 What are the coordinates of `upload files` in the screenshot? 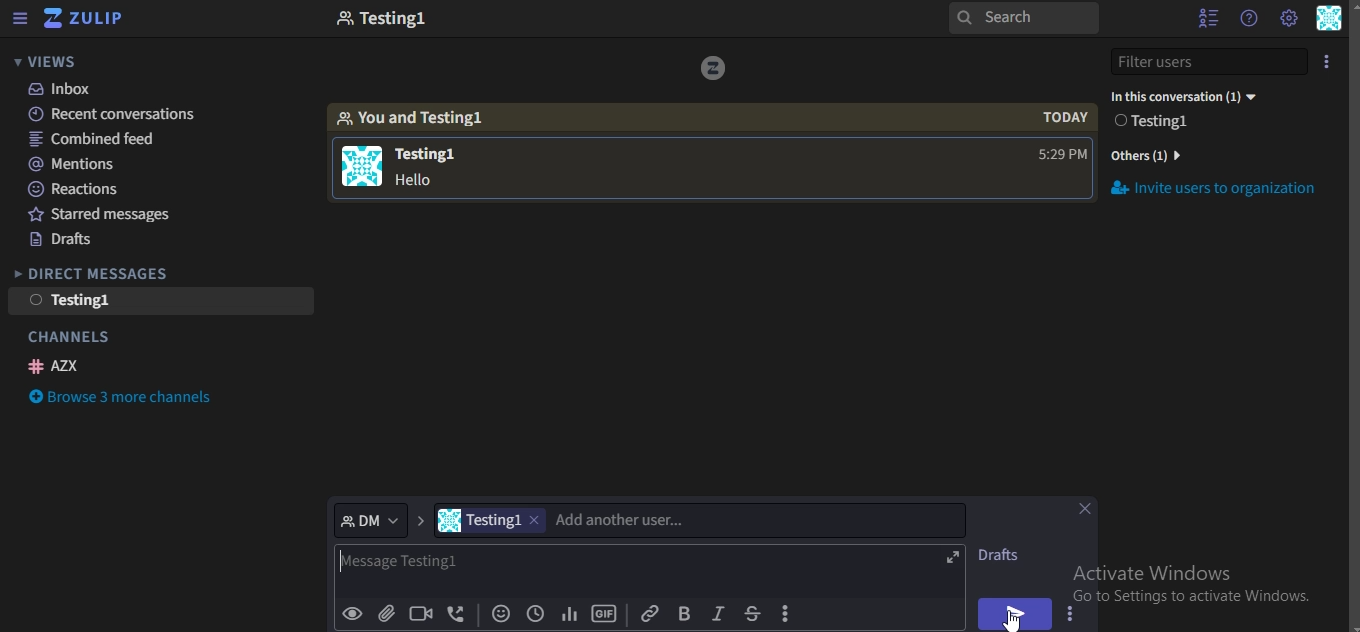 It's located at (388, 615).